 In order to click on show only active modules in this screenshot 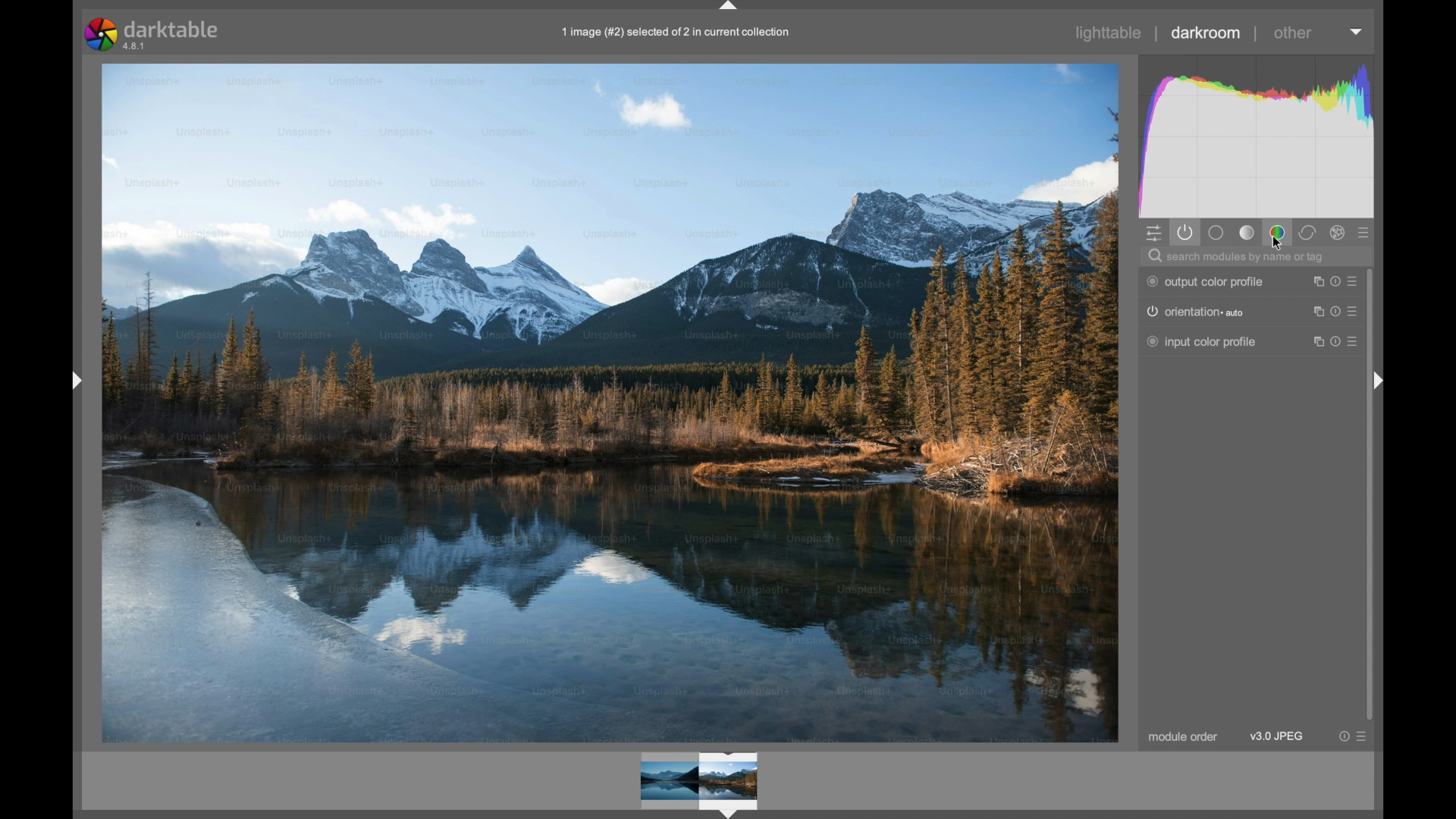, I will do `click(1187, 234)`.